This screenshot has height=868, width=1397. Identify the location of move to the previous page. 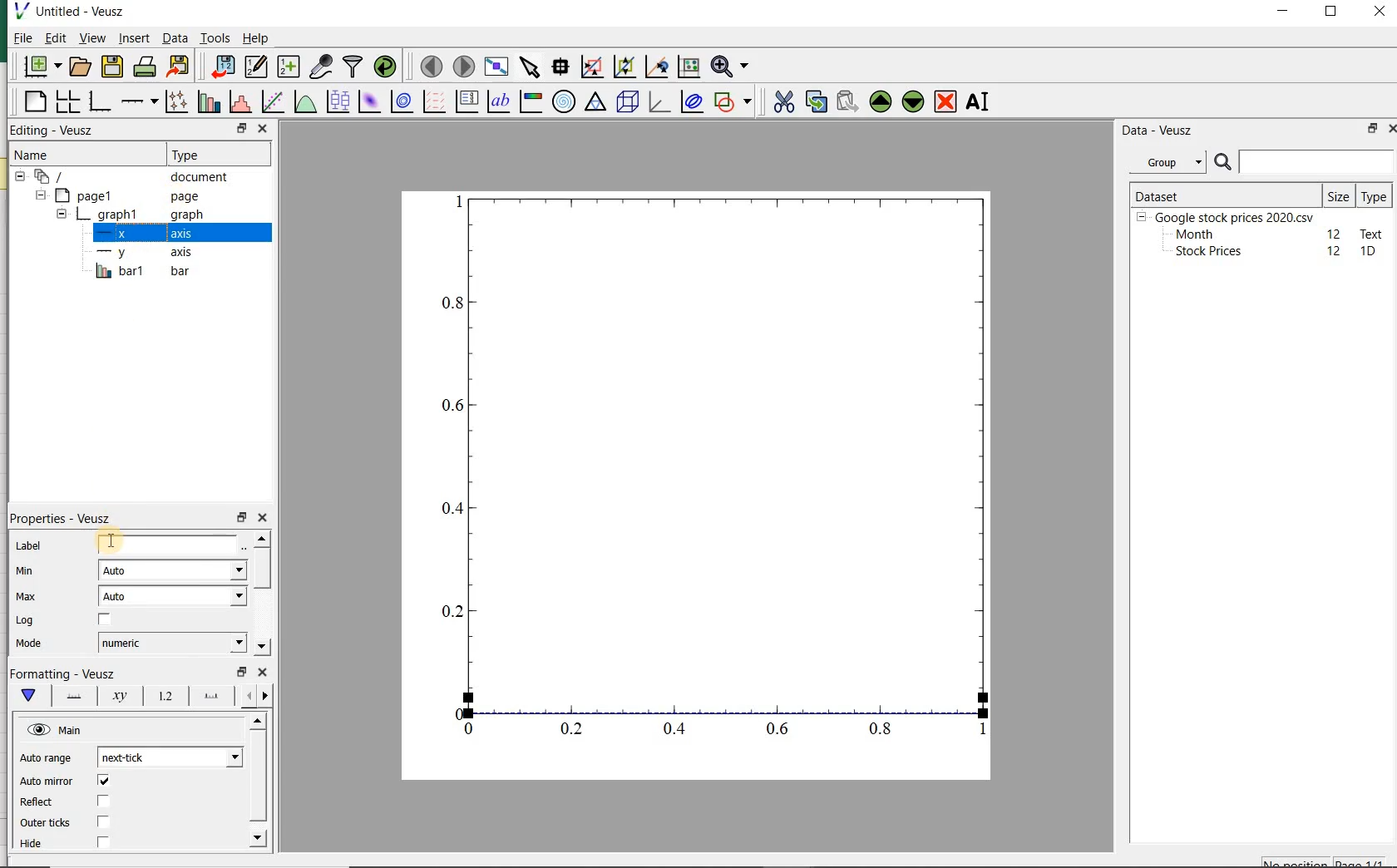
(429, 65).